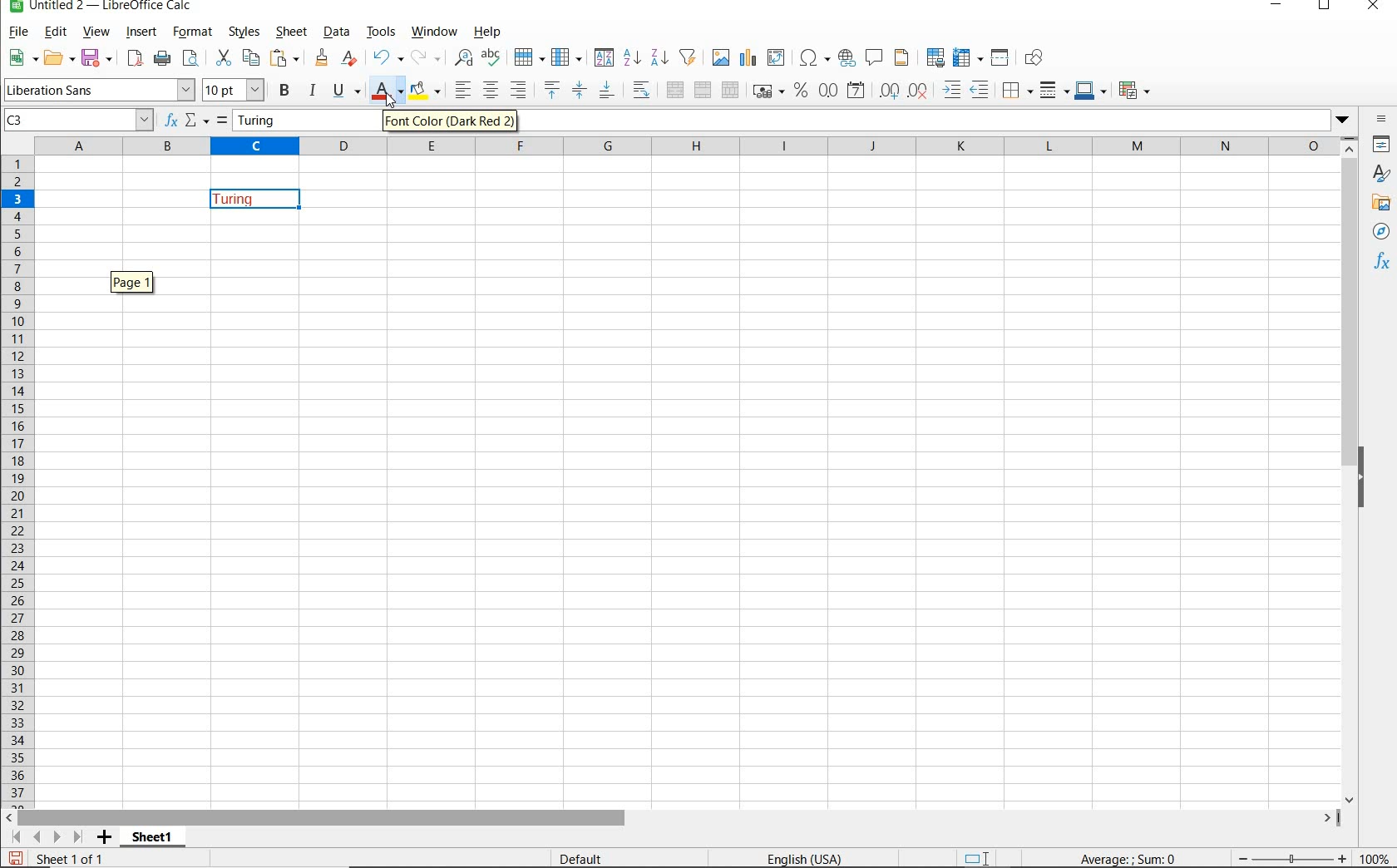  I want to click on FONT NAME, so click(99, 89).